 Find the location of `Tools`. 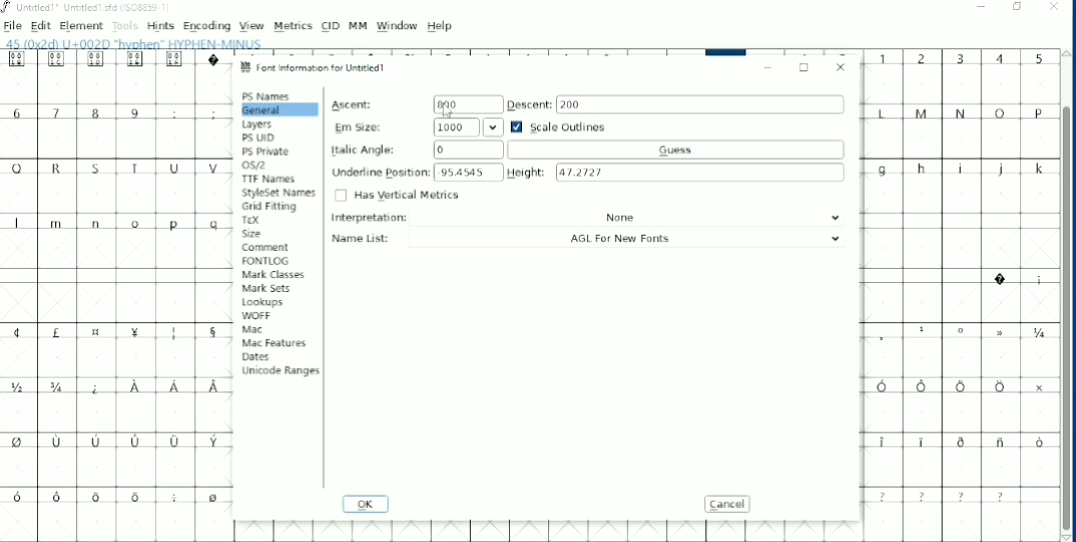

Tools is located at coordinates (125, 27).